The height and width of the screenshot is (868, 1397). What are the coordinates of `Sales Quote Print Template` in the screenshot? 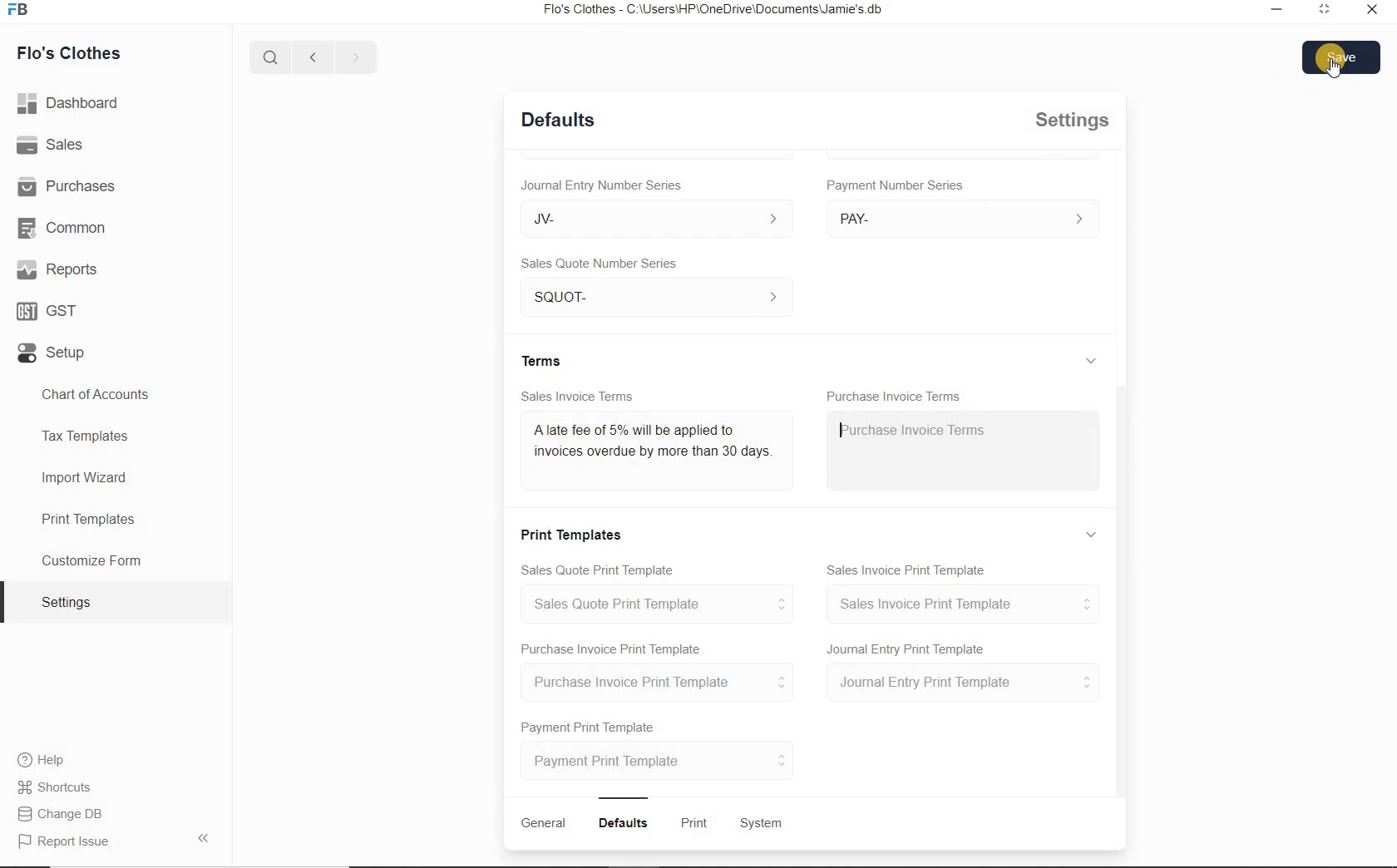 It's located at (601, 568).